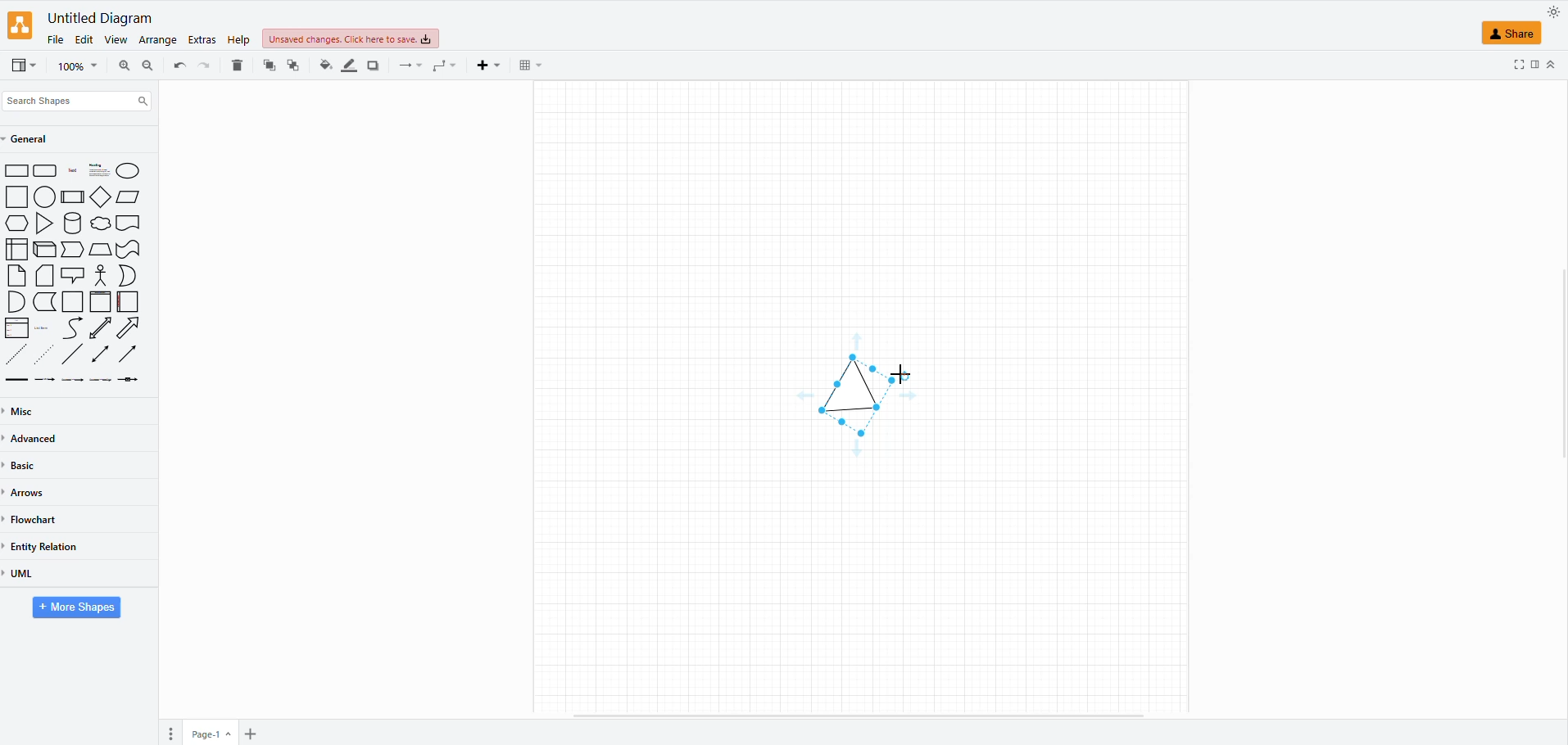 Image resolution: width=1568 pixels, height=745 pixels. What do you see at coordinates (32, 492) in the screenshot?
I see `arrows` at bounding box center [32, 492].